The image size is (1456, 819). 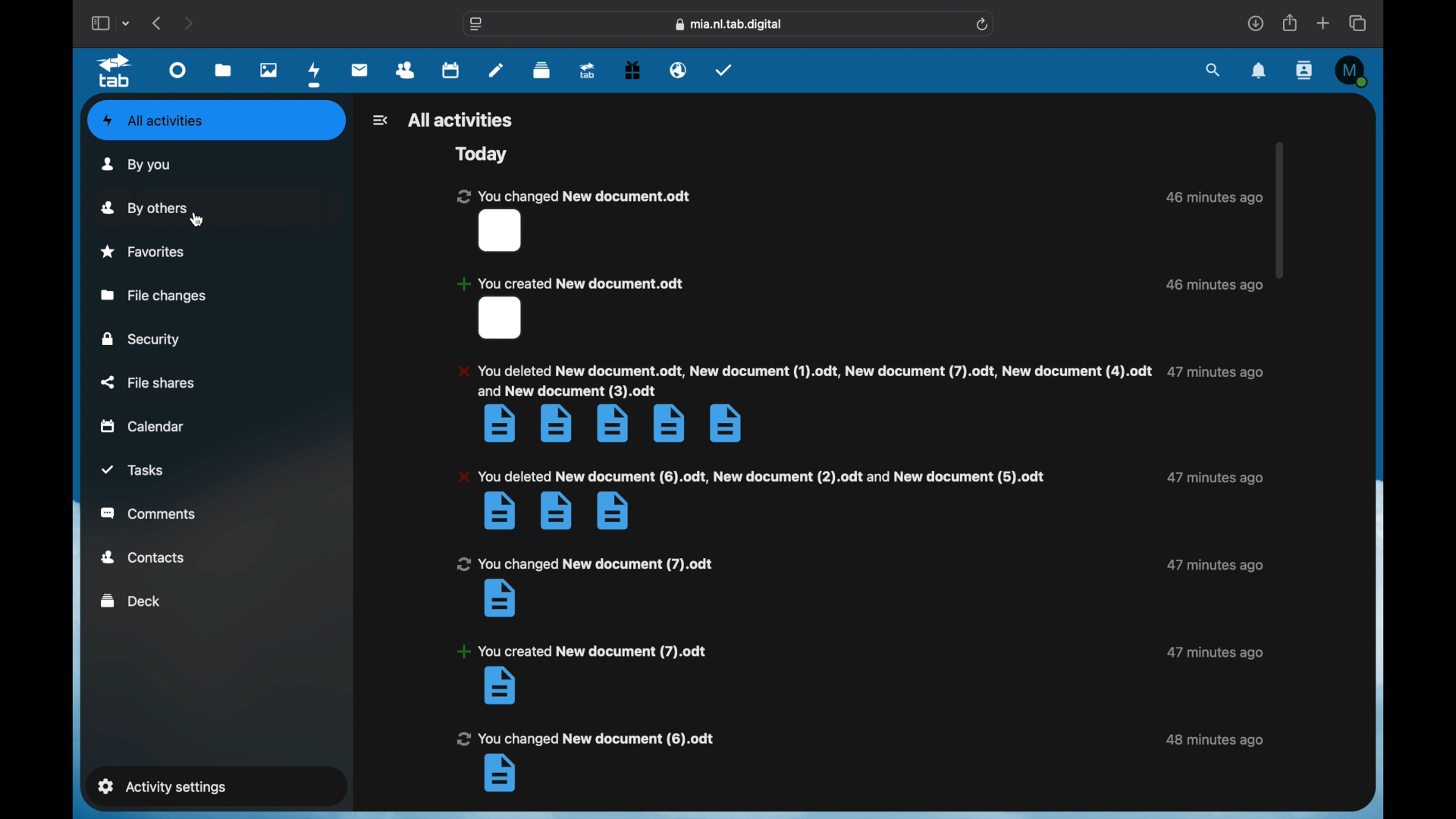 I want to click on back, so click(x=158, y=23).